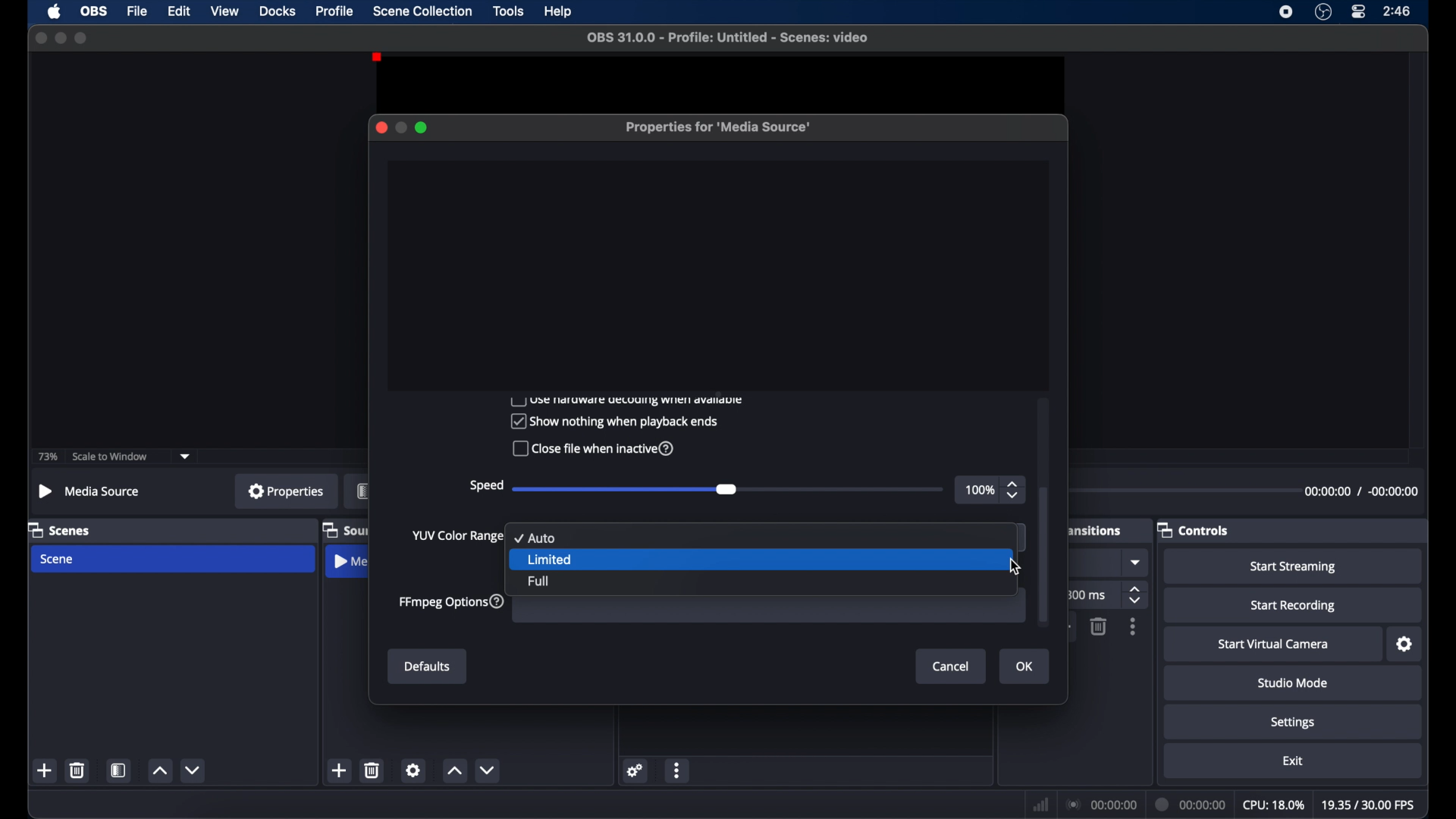  Describe the element at coordinates (1405, 645) in the screenshot. I see `settings` at that location.